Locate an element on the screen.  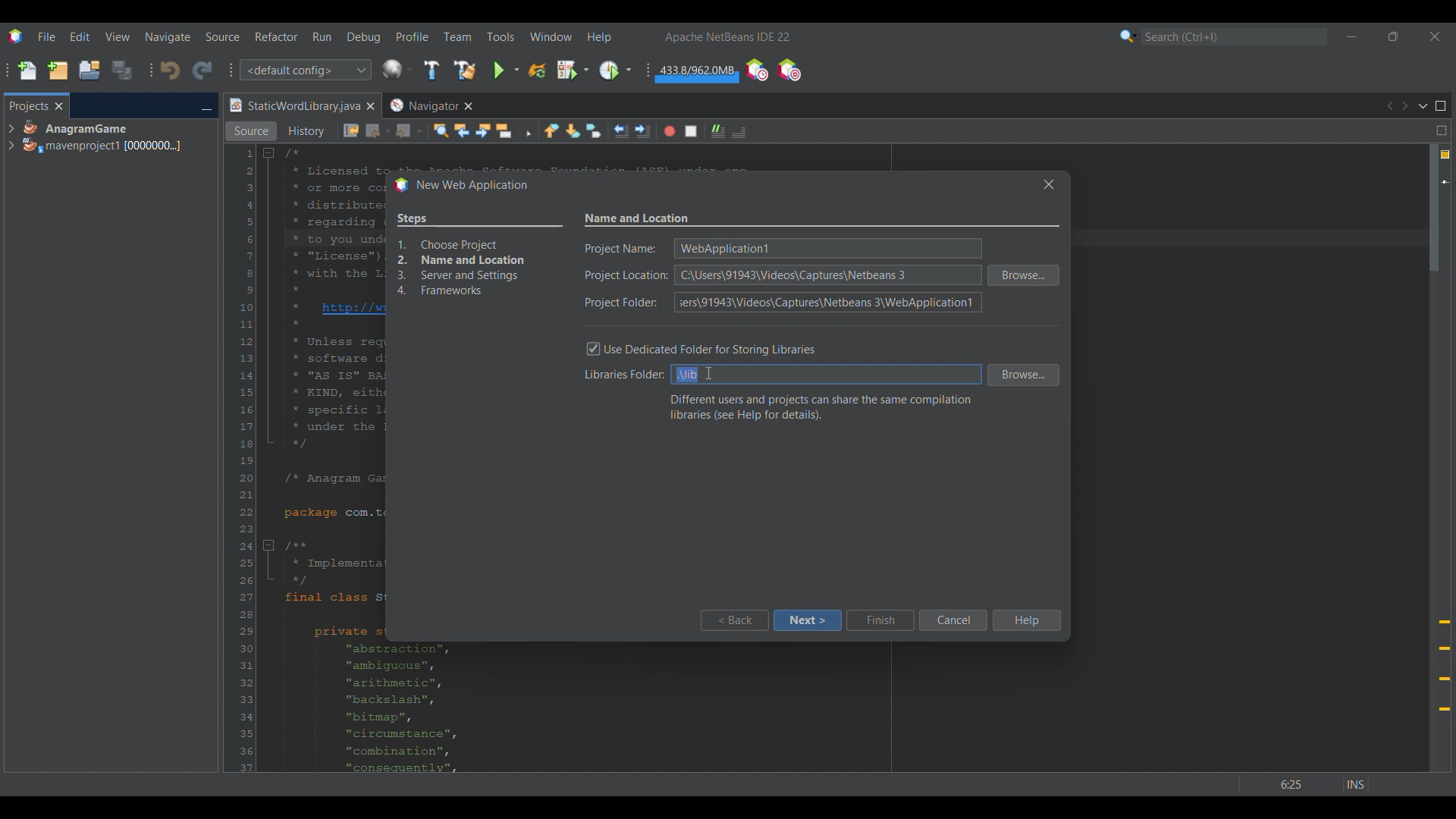
Help is located at coordinates (1025, 620).